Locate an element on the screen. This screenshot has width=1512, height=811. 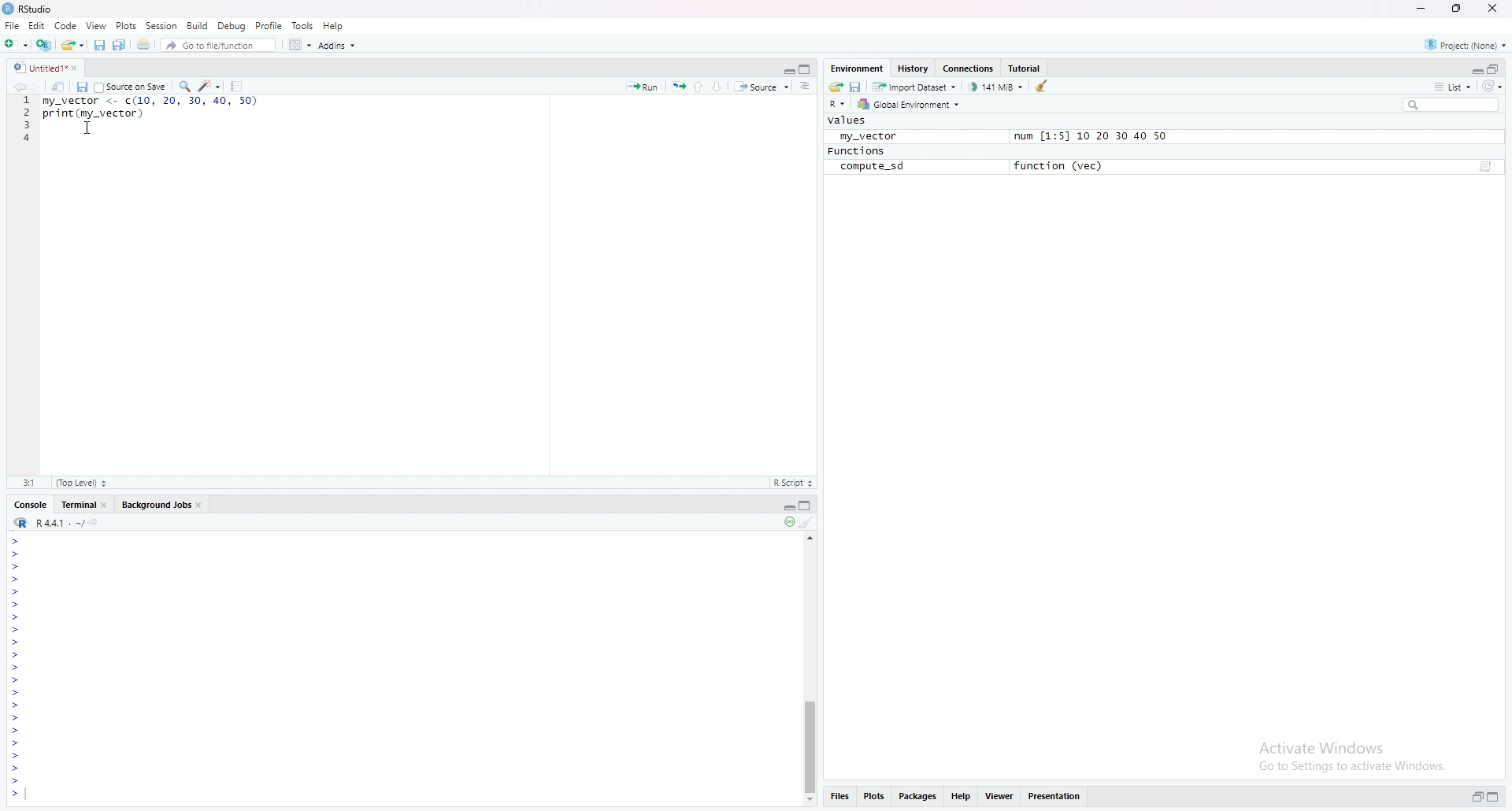
View is located at coordinates (97, 25).